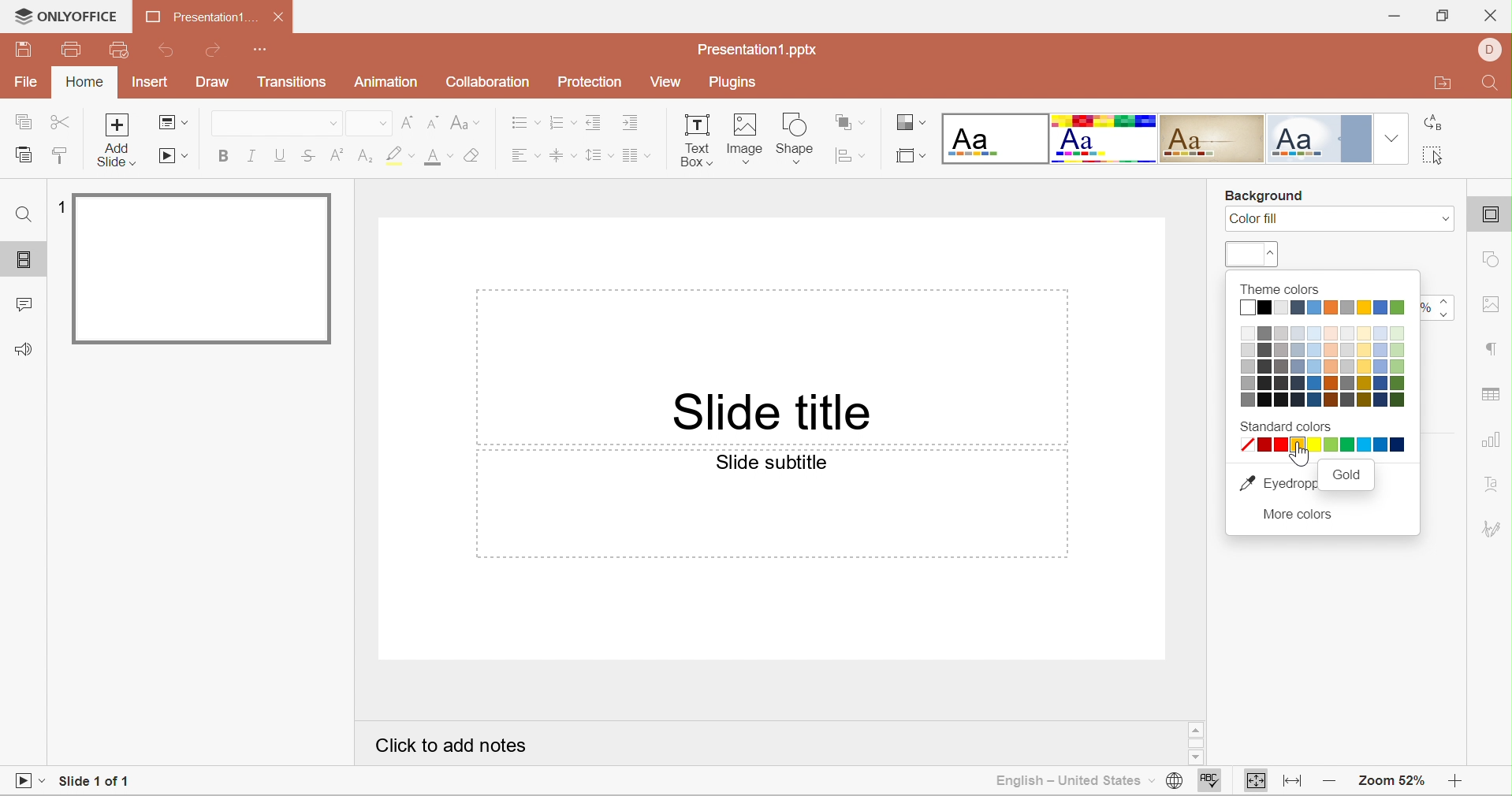 Image resolution: width=1512 pixels, height=796 pixels. What do you see at coordinates (62, 18) in the screenshot?
I see `ONLYOFFICE` at bounding box center [62, 18].